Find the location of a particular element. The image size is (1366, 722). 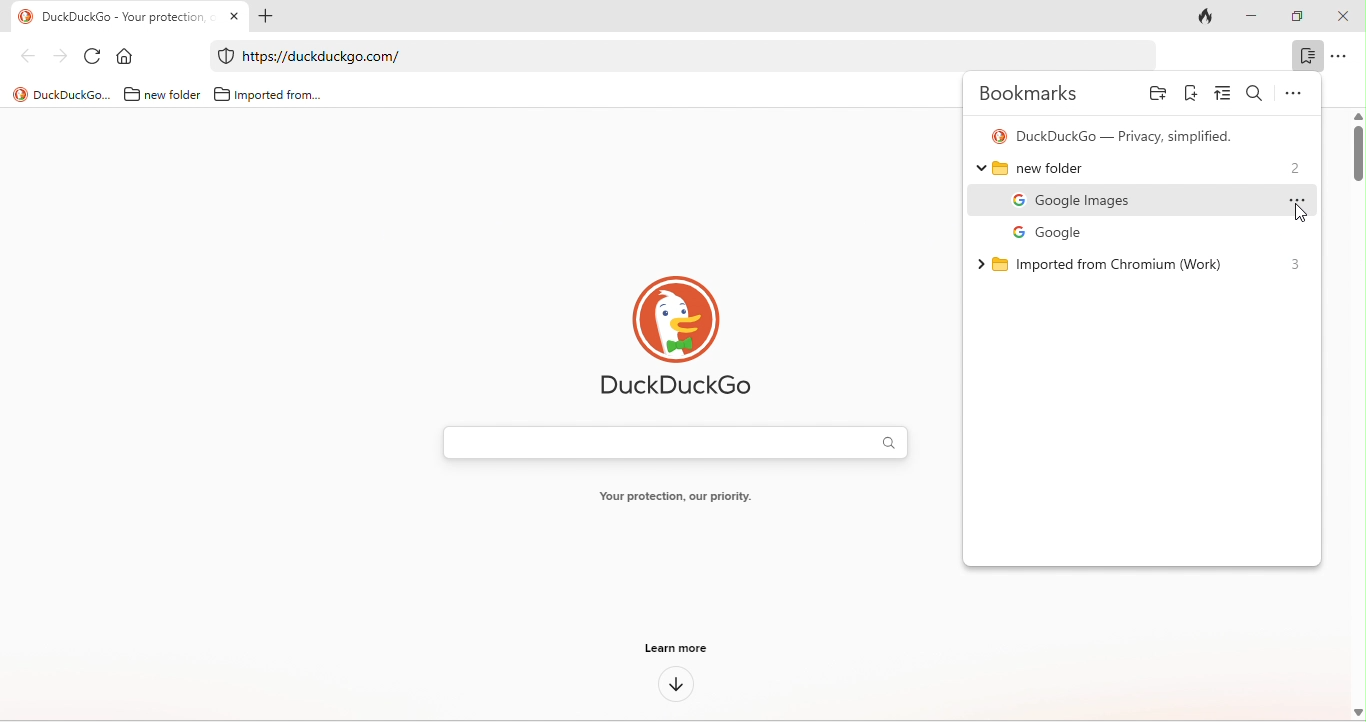

back is located at coordinates (22, 59).